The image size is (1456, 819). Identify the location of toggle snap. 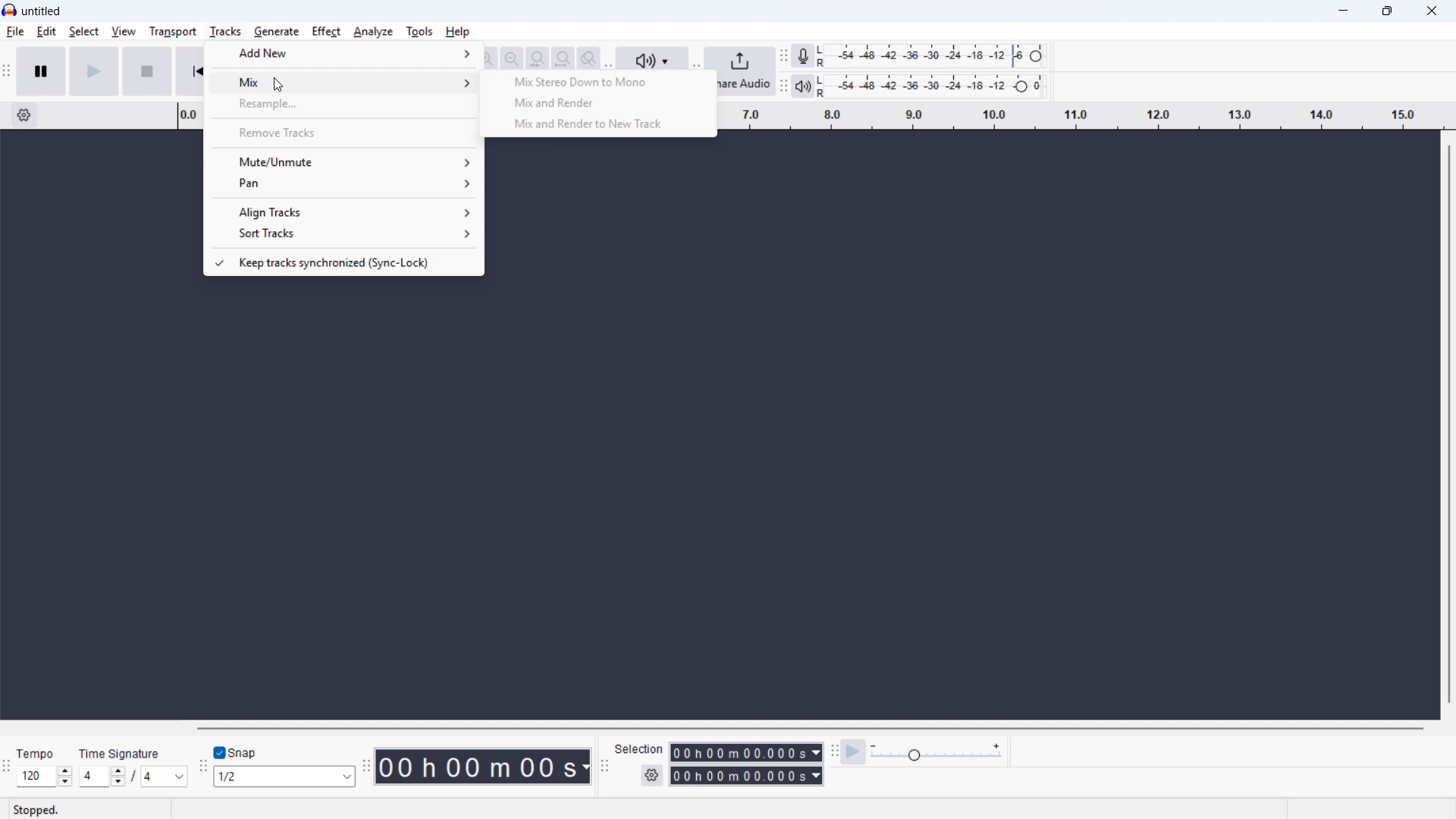
(238, 752).